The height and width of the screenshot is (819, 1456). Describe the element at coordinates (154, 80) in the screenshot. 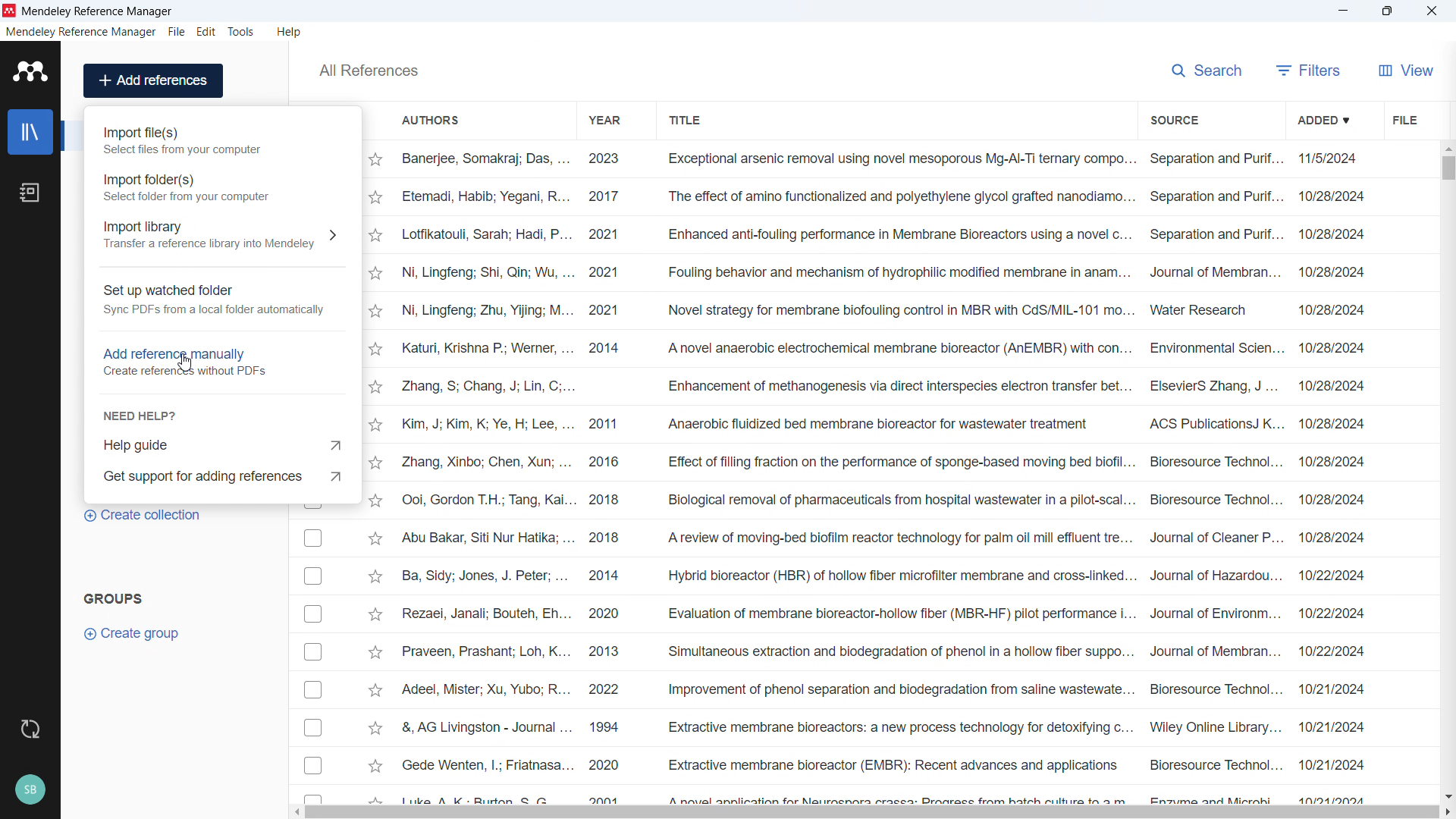

I see `Add references ` at that location.